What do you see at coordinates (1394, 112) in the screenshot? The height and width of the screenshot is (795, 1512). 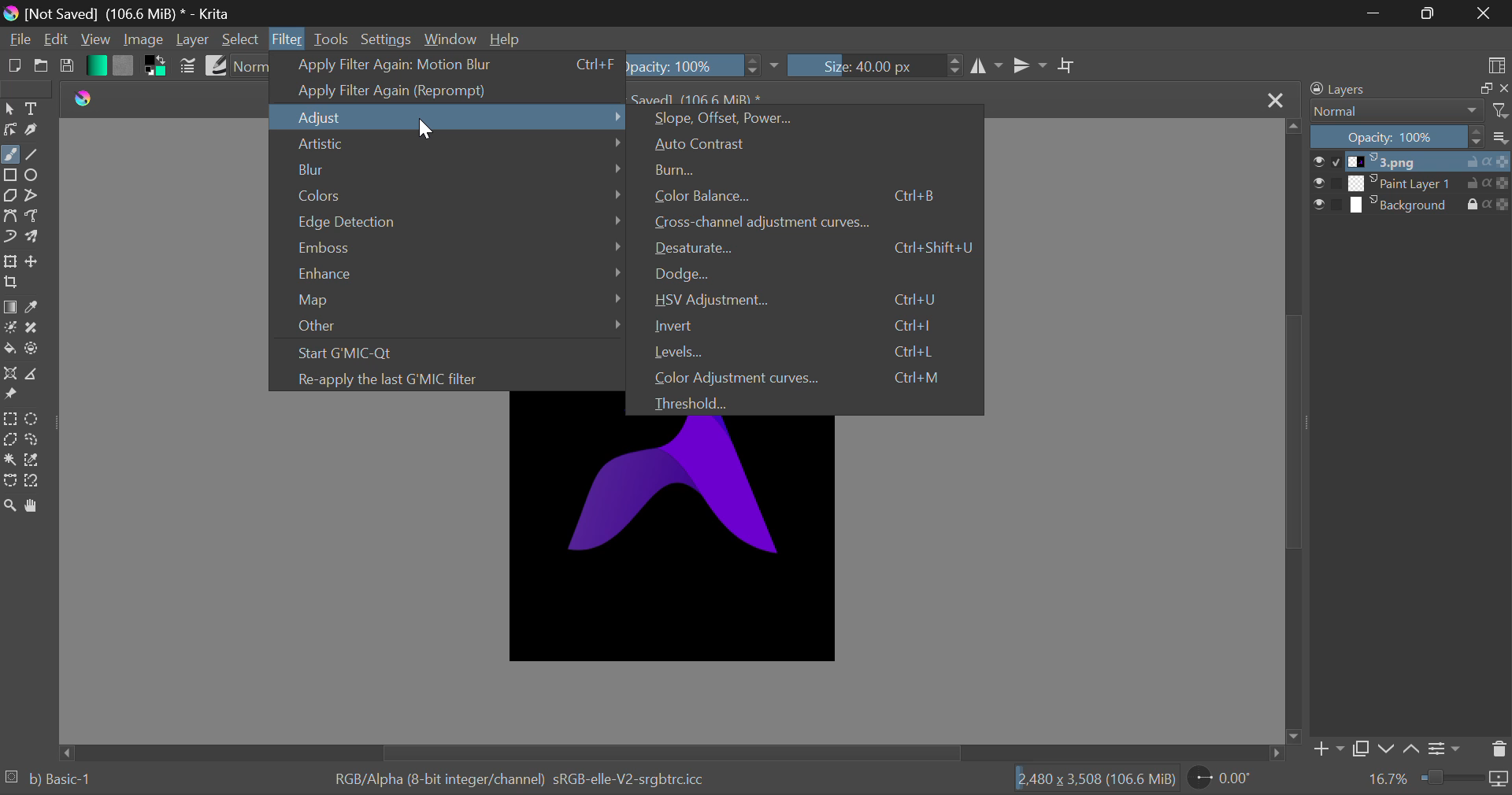 I see `Normal` at bounding box center [1394, 112].